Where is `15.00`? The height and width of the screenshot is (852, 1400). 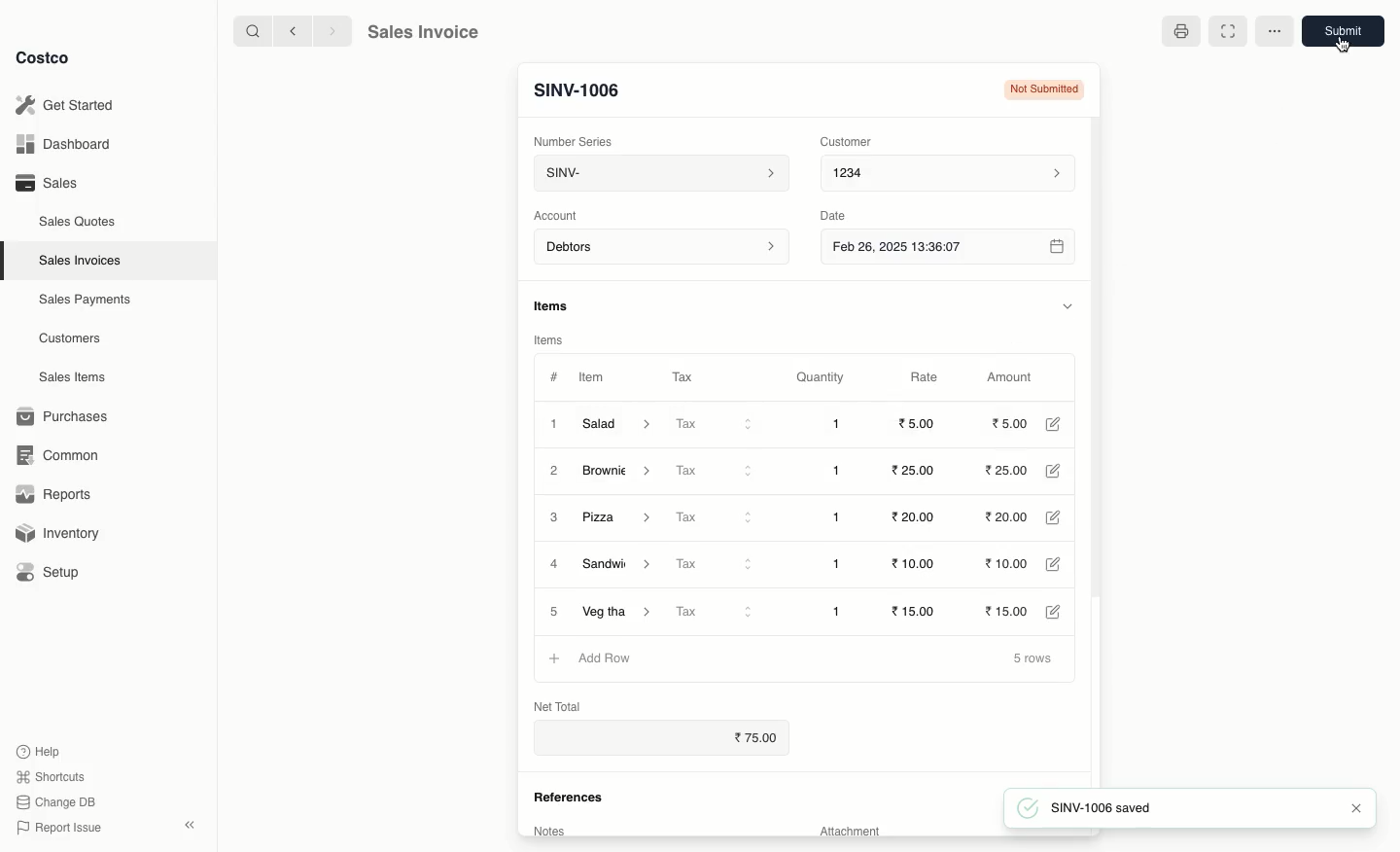
15.00 is located at coordinates (1006, 613).